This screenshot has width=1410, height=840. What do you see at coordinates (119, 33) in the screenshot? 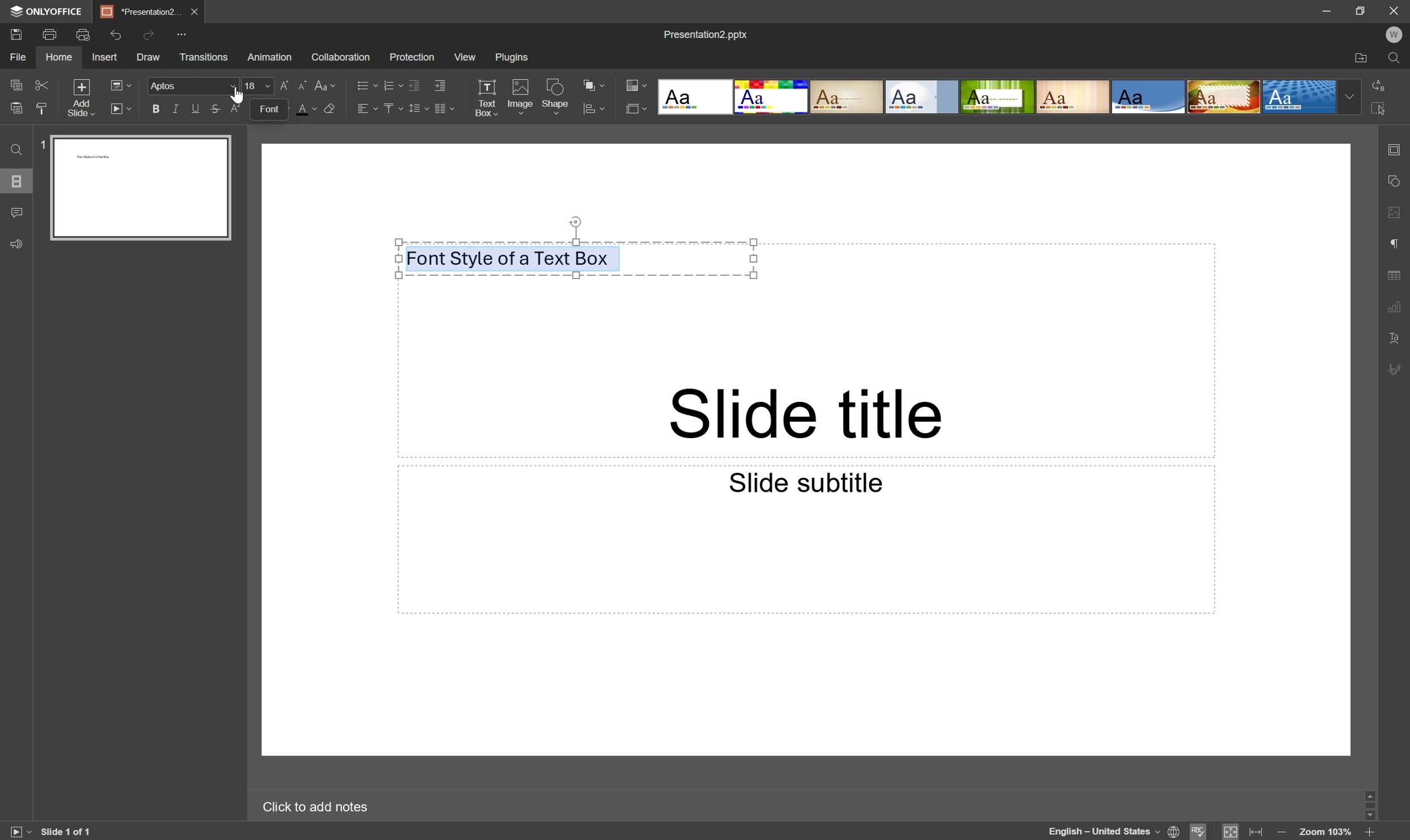
I see `Undo` at bounding box center [119, 33].